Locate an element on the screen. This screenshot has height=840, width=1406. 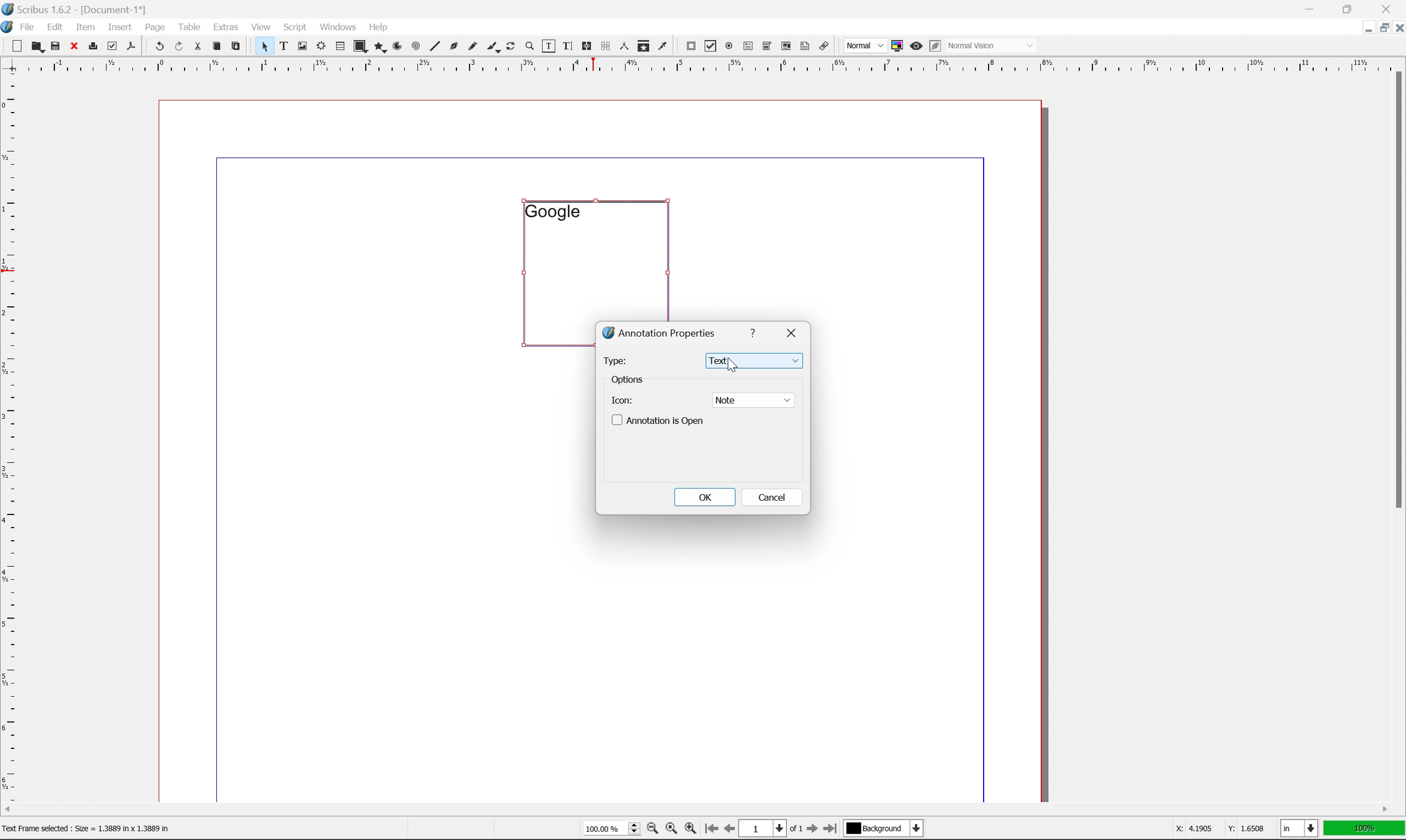
extras is located at coordinates (228, 27).